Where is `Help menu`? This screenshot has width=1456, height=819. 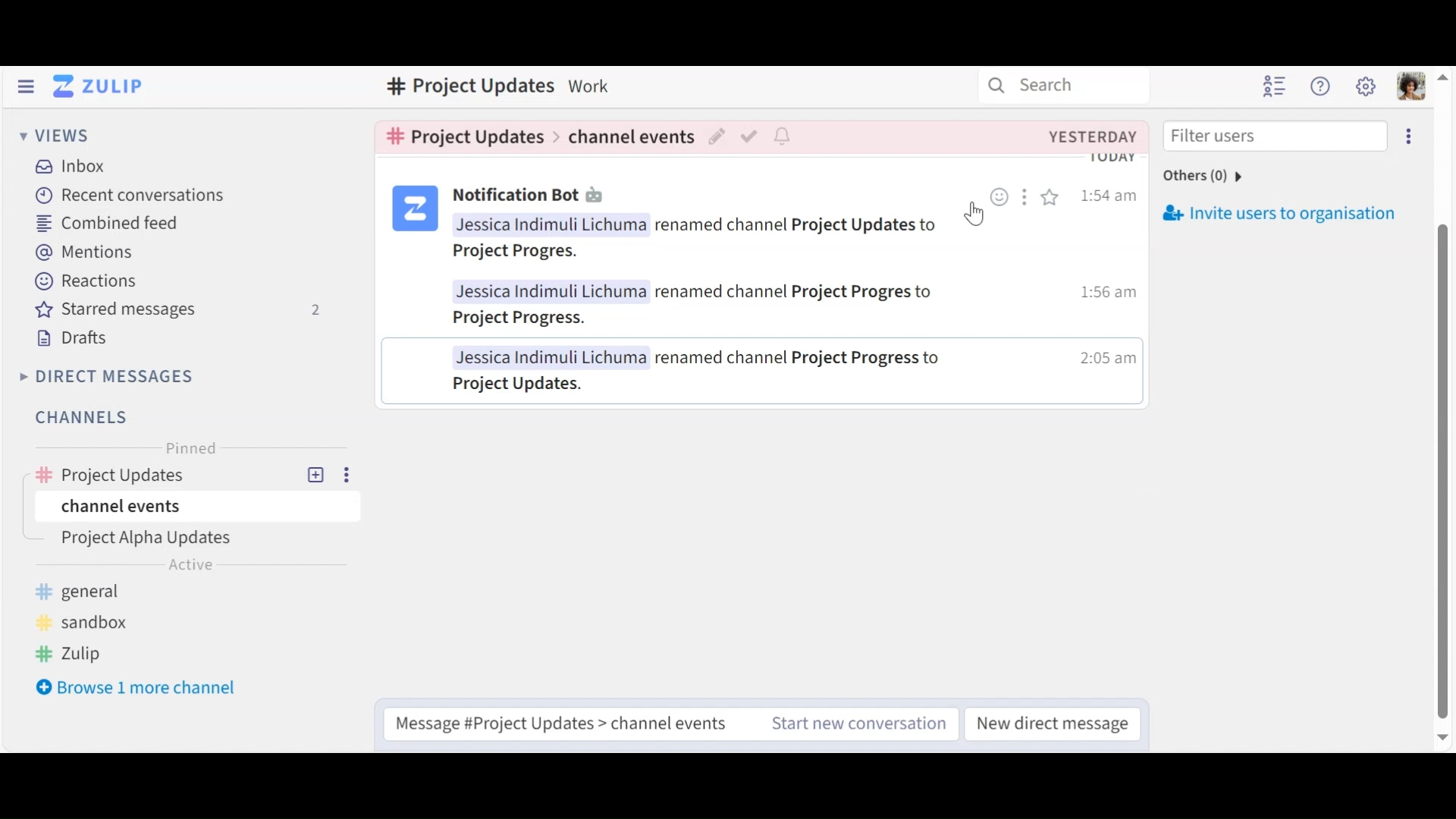 Help menu is located at coordinates (1323, 88).